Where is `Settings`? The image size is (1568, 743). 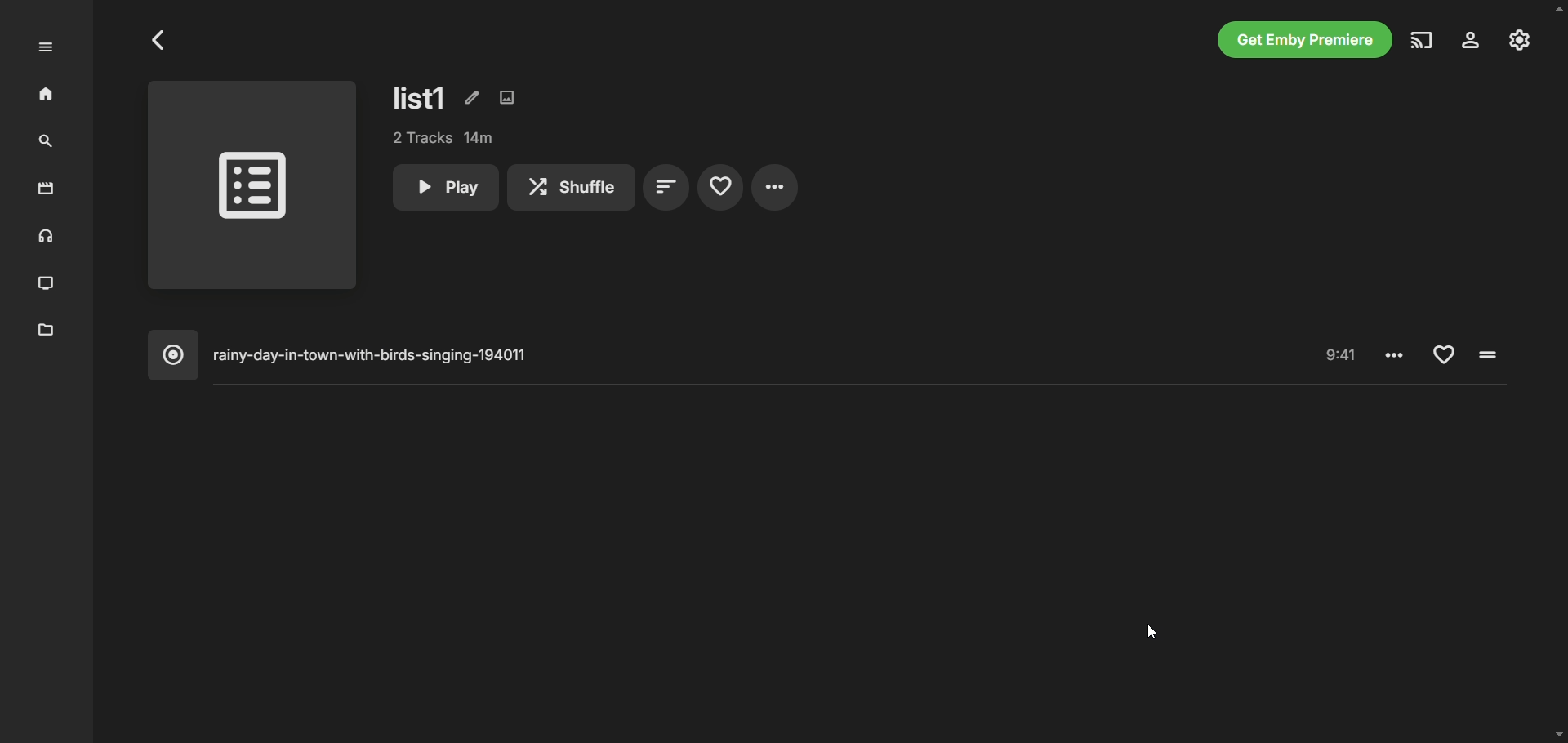 Settings is located at coordinates (1394, 355).